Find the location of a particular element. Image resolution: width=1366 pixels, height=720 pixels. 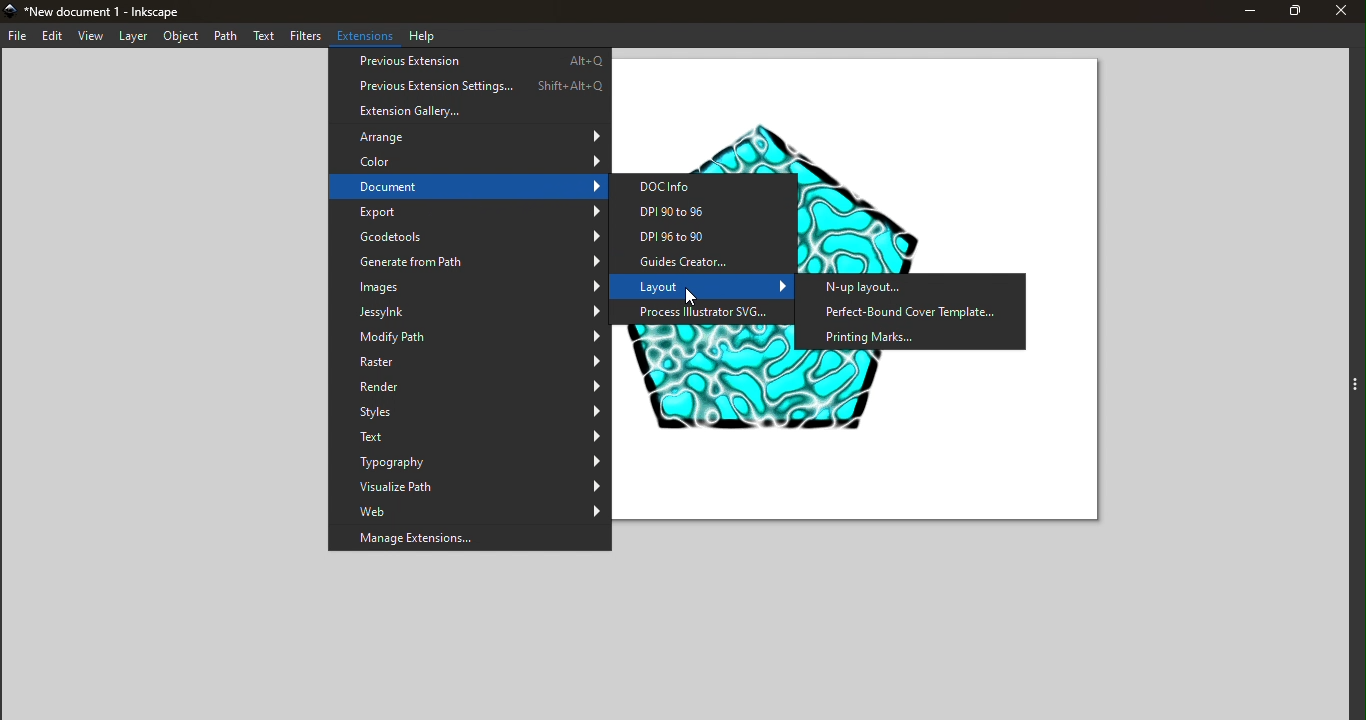

Perfect-Bound Cover Template... is located at coordinates (913, 311).